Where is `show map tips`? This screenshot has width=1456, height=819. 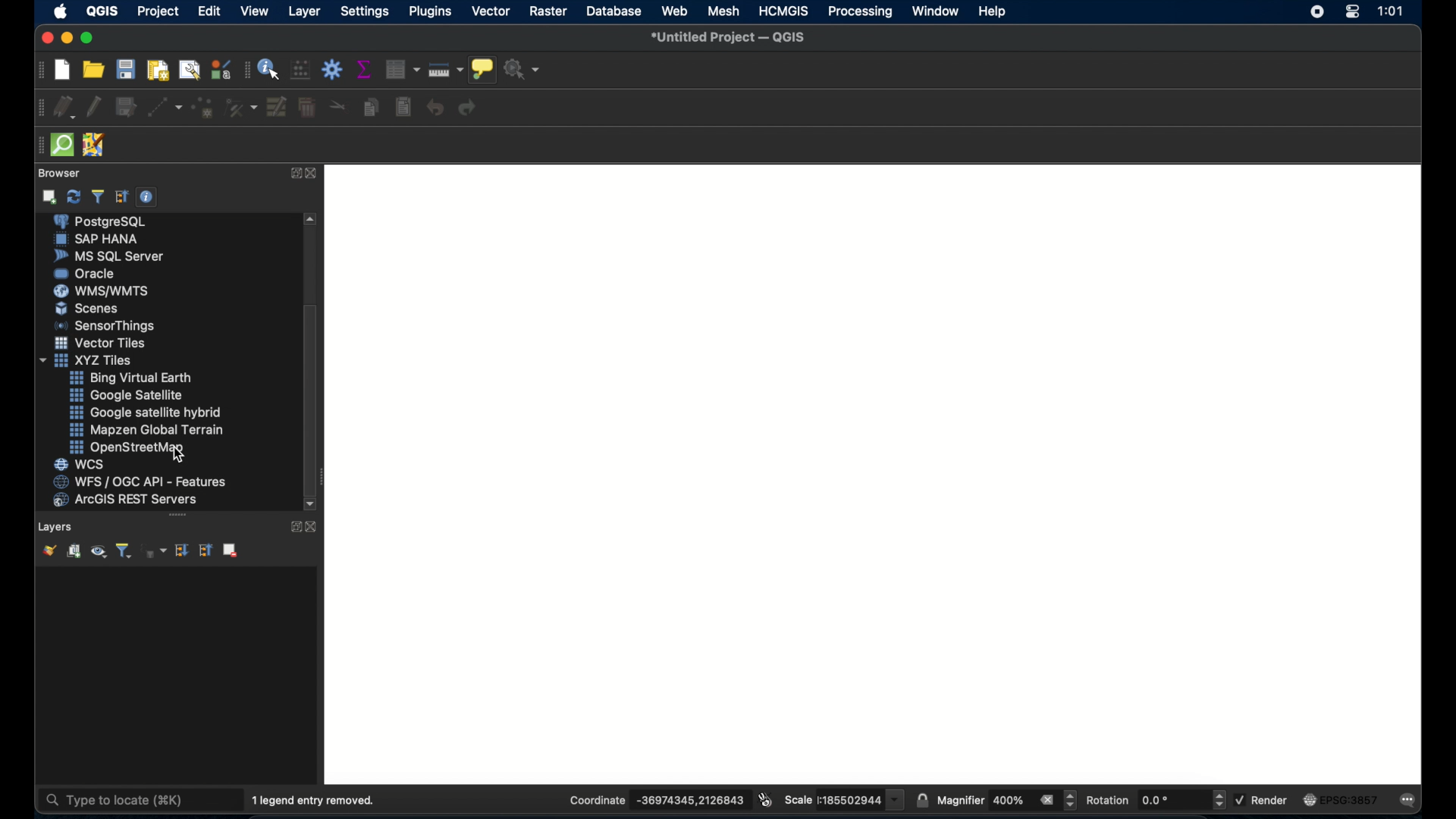 show map tips is located at coordinates (482, 70).